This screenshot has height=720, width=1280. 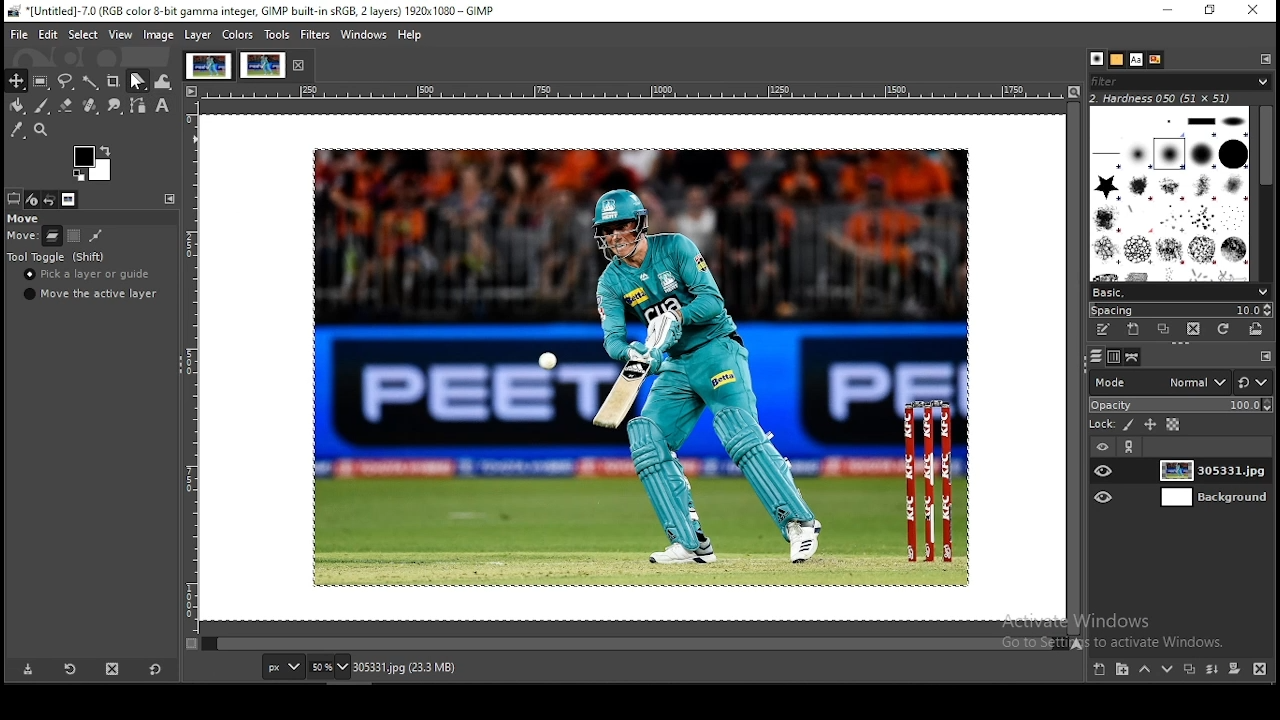 I want to click on color picker tool, so click(x=19, y=130).